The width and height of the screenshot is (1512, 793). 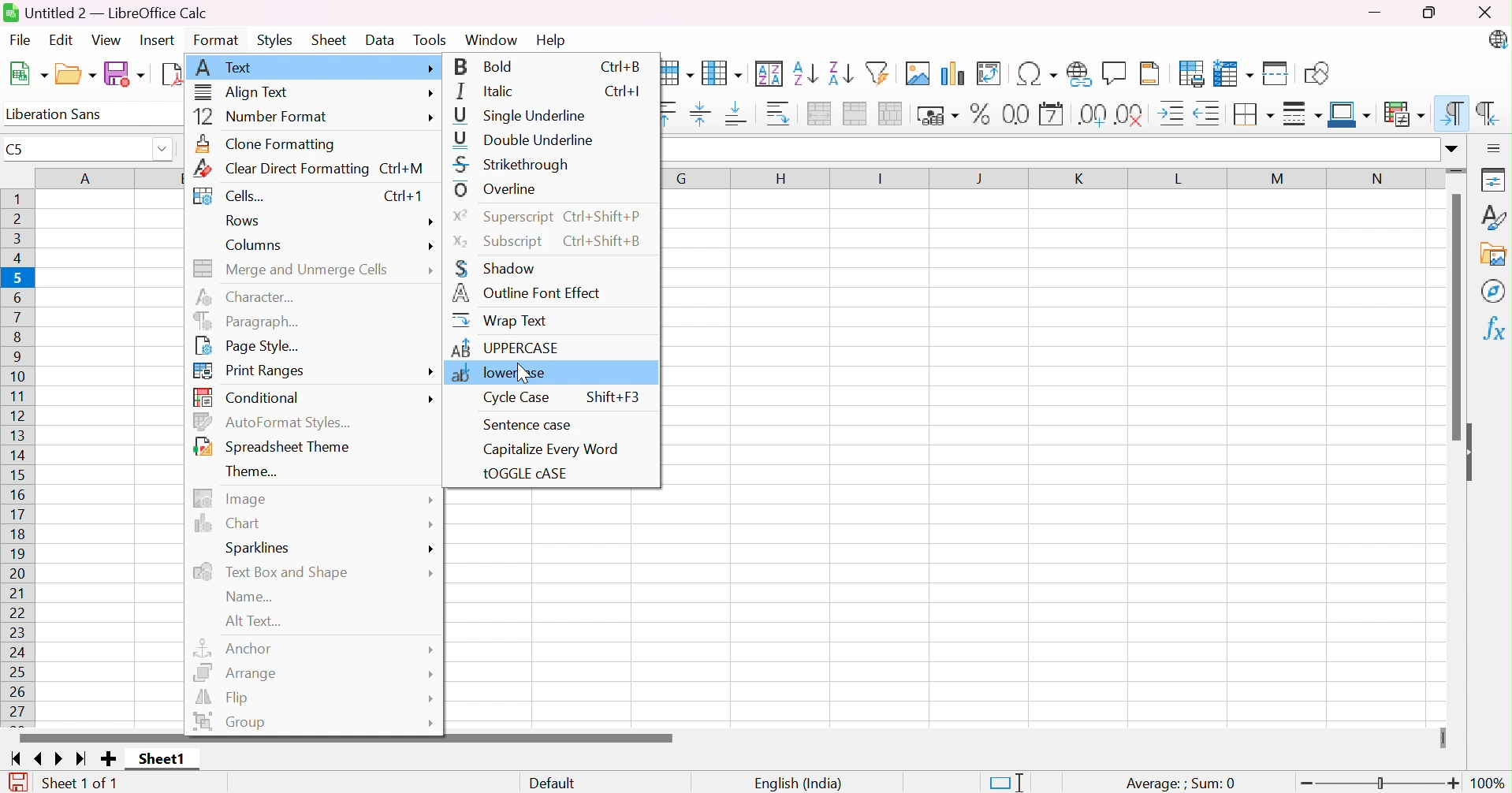 What do you see at coordinates (938, 114) in the screenshot?
I see `Format as Currency` at bounding box center [938, 114].